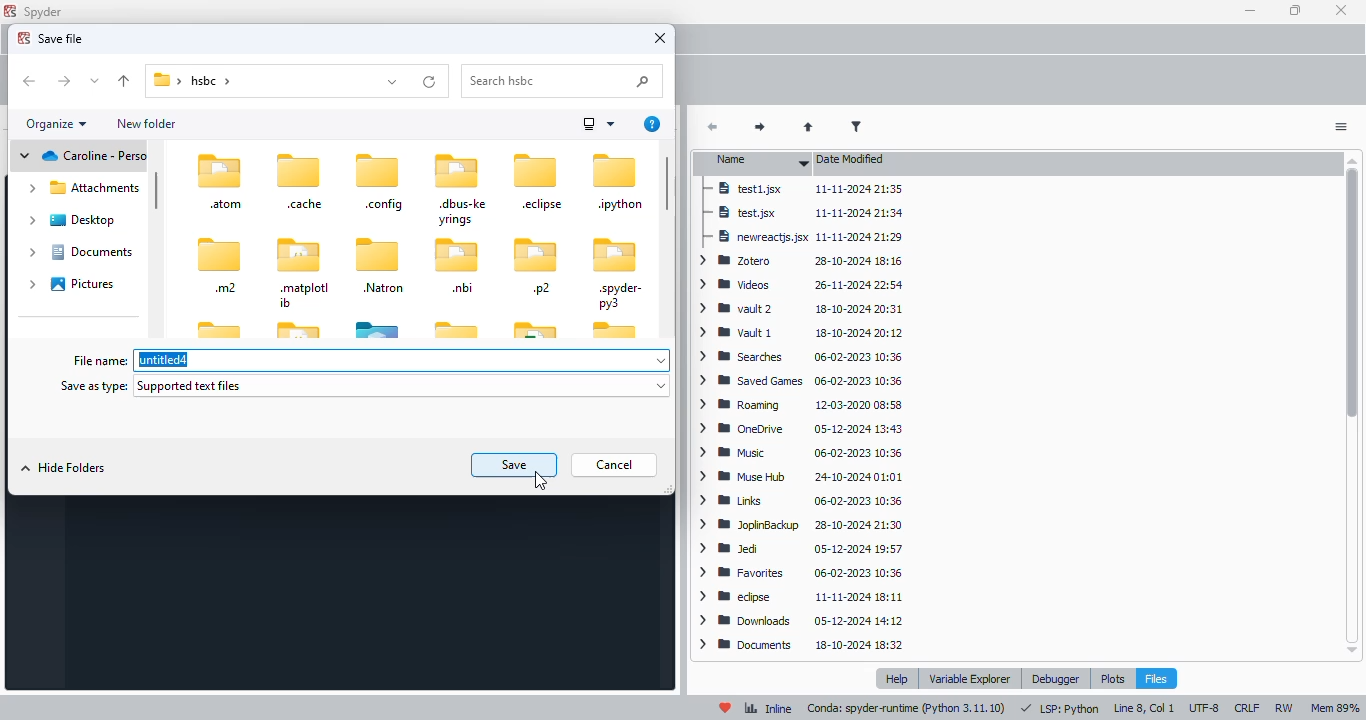  What do you see at coordinates (619, 272) in the screenshot?
I see `.spyder-py3` at bounding box center [619, 272].